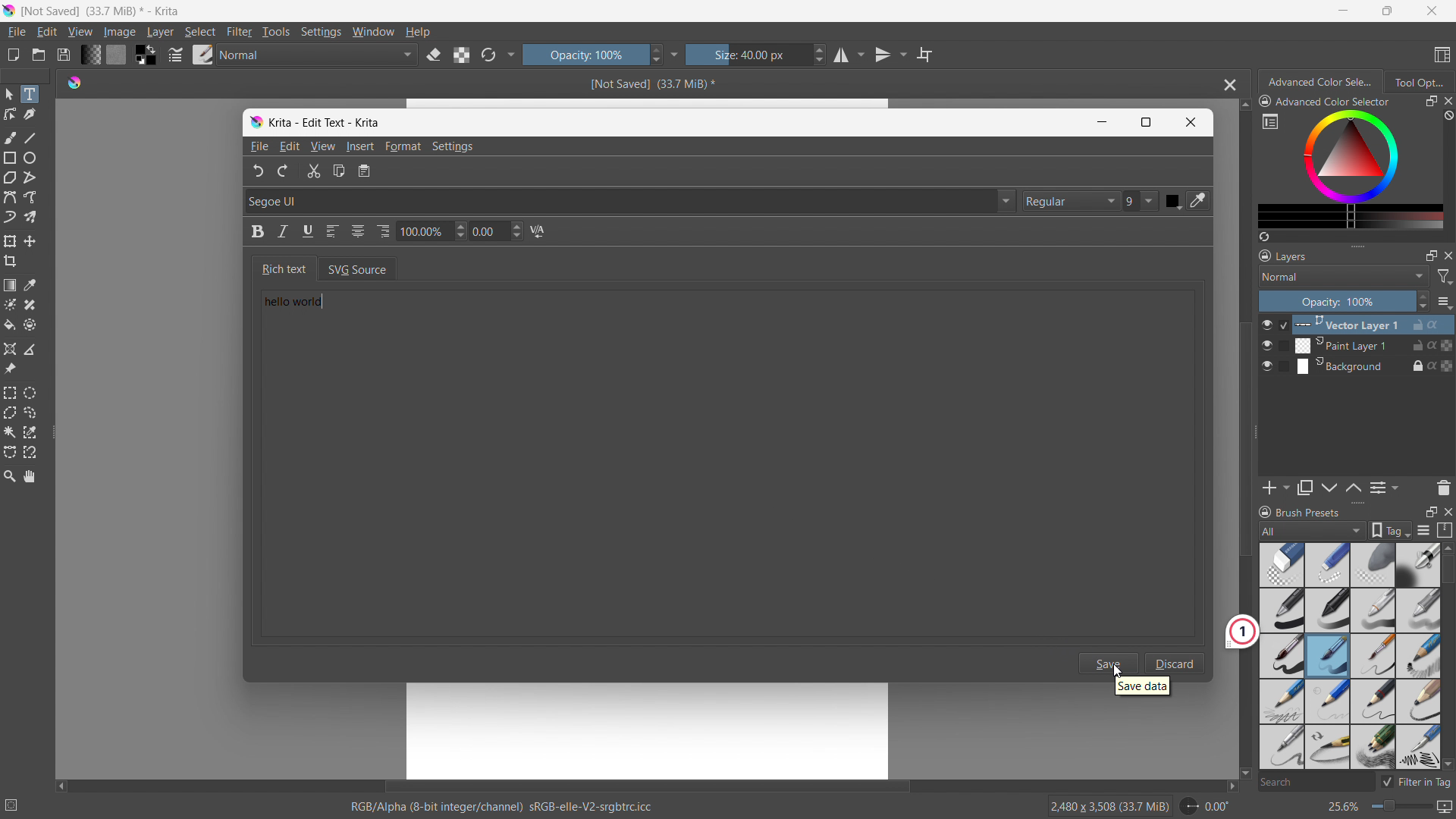 This screenshot has height=819, width=1456. What do you see at coordinates (384, 228) in the screenshot?
I see `Right align` at bounding box center [384, 228].